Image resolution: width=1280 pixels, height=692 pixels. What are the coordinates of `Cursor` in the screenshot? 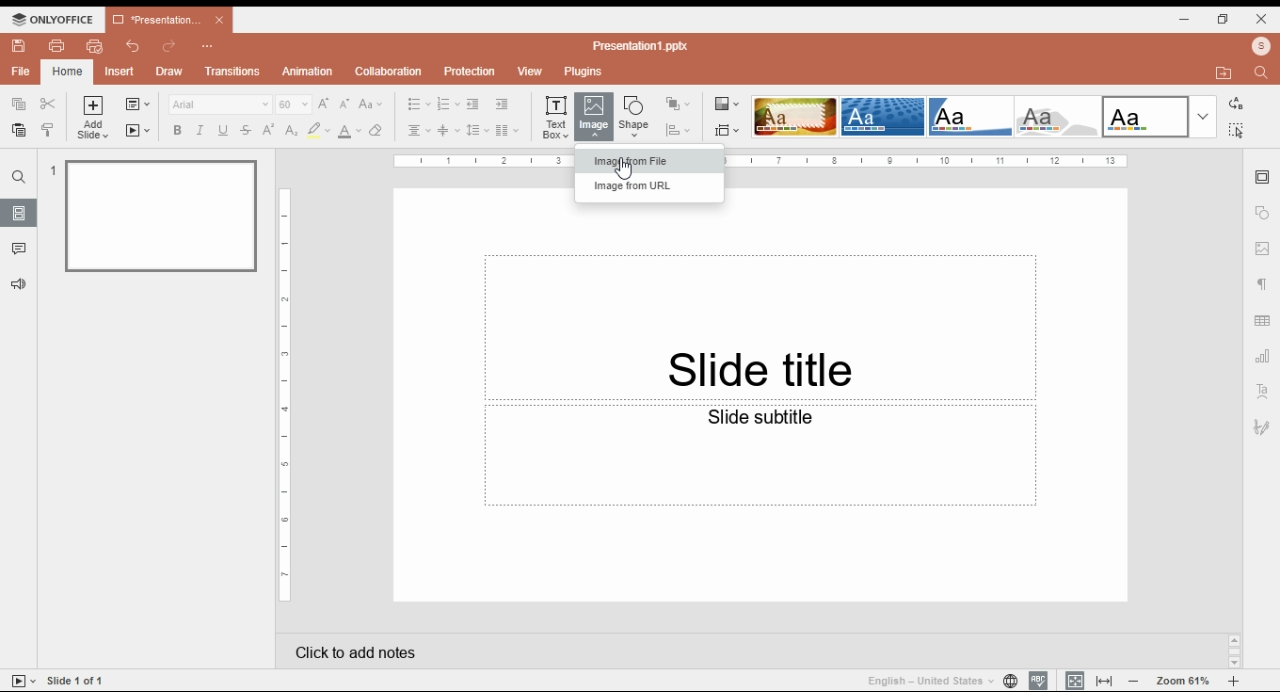 It's located at (625, 173).